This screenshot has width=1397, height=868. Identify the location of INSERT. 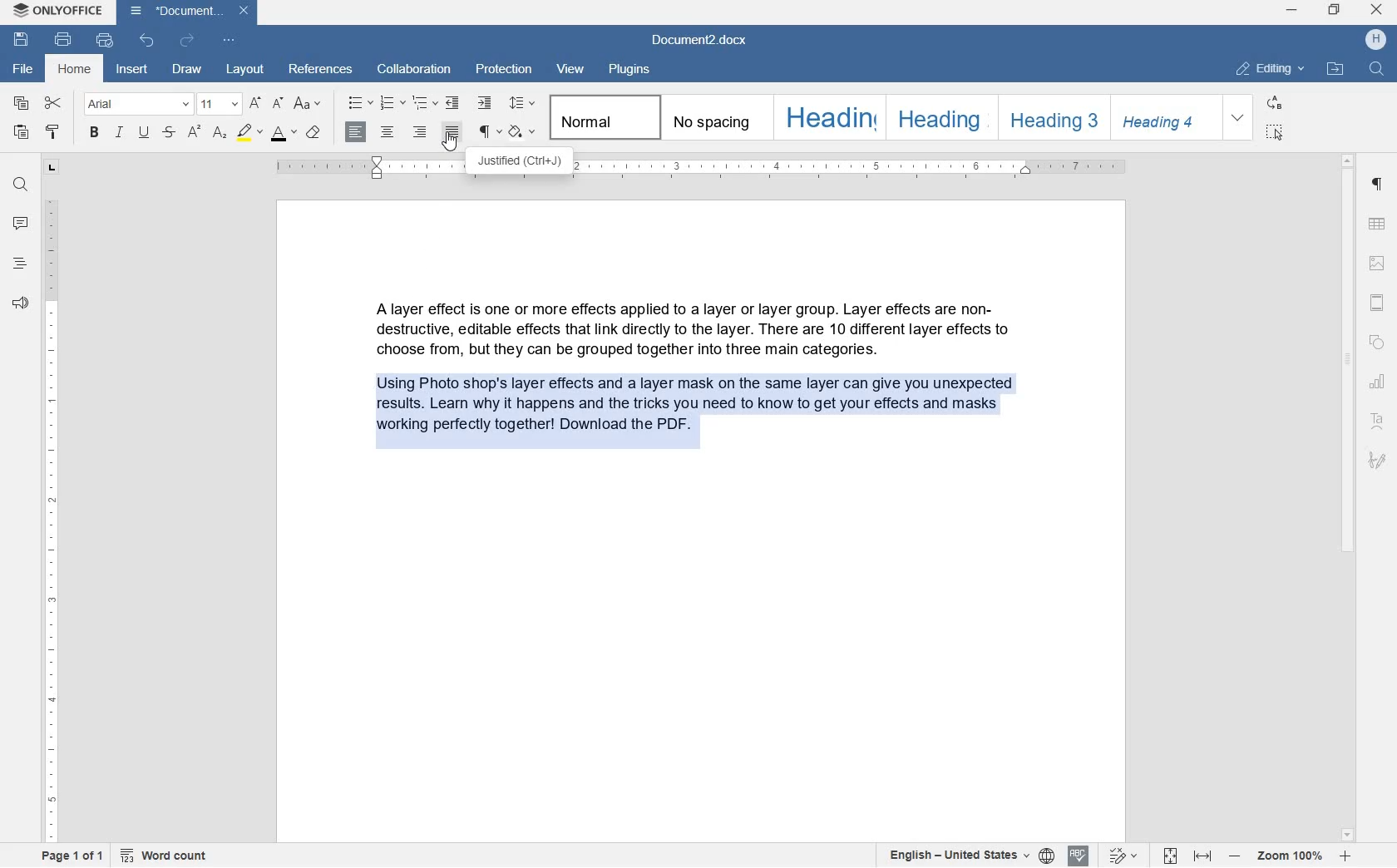
(133, 72).